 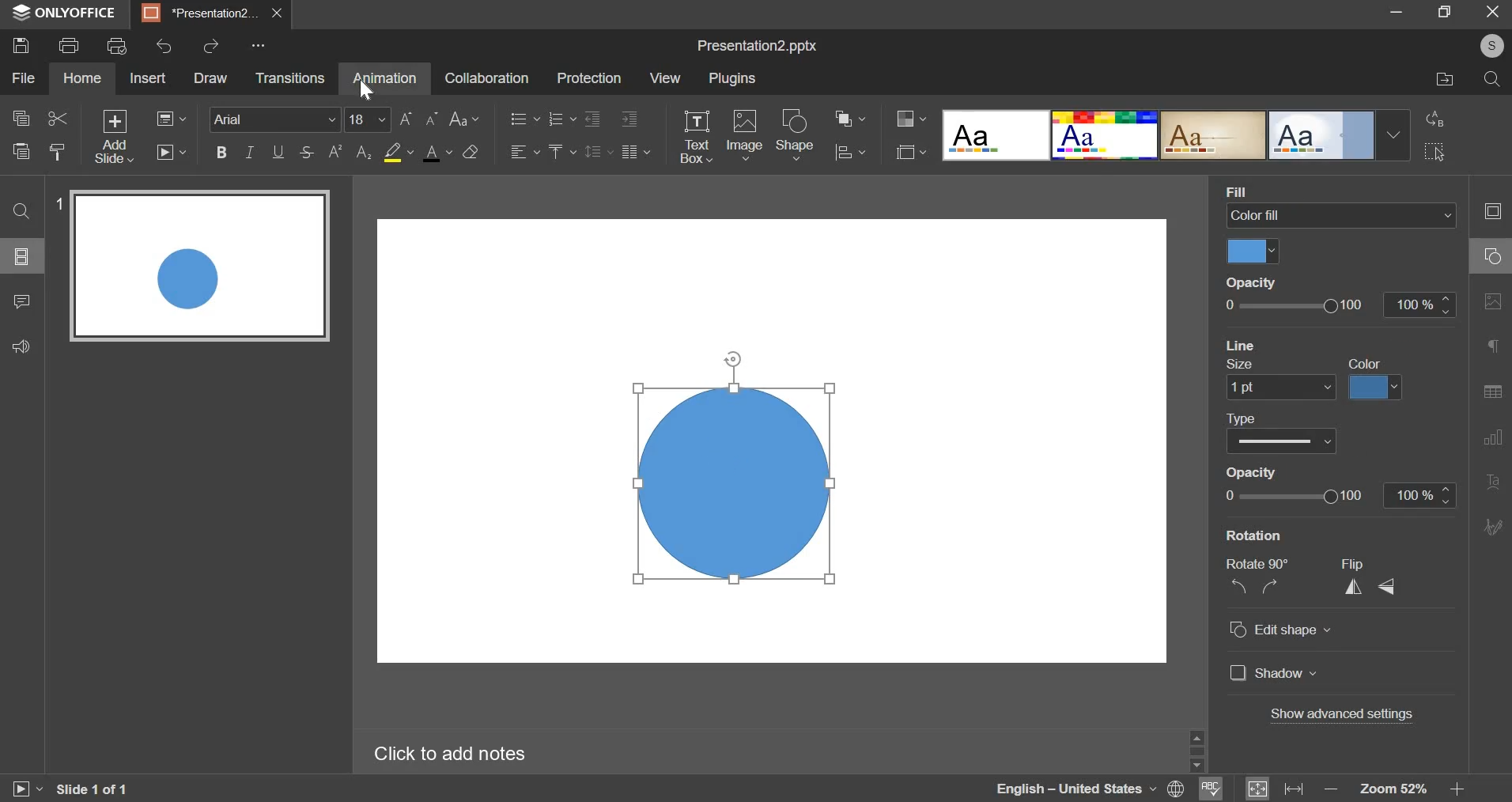 What do you see at coordinates (337, 150) in the screenshot?
I see `superscript` at bounding box center [337, 150].